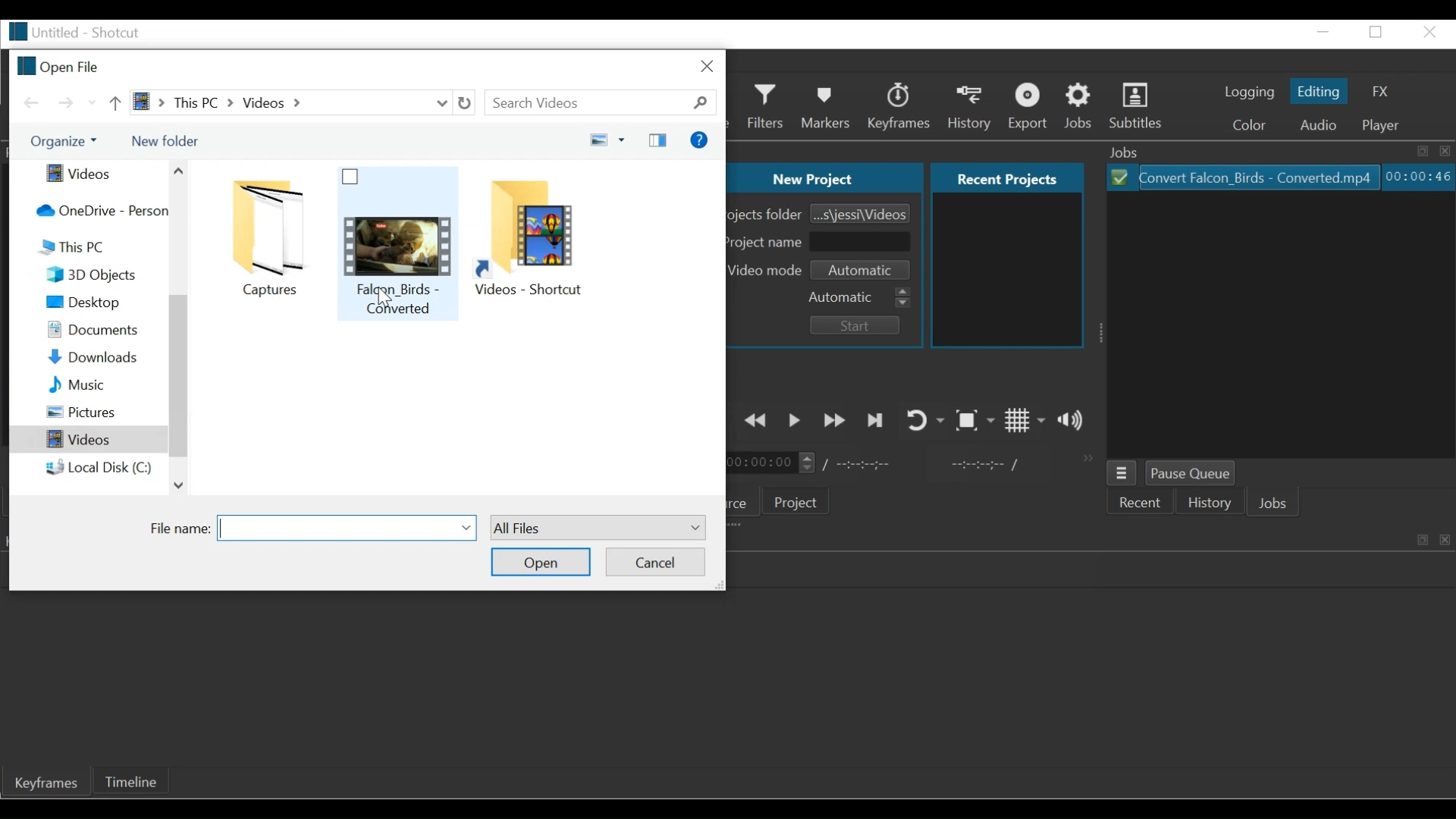 The width and height of the screenshot is (1456, 819). What do you see at coordinates (902, 107) in the screenshot?
I see `Keyframes` at bounding box center [902, 107].